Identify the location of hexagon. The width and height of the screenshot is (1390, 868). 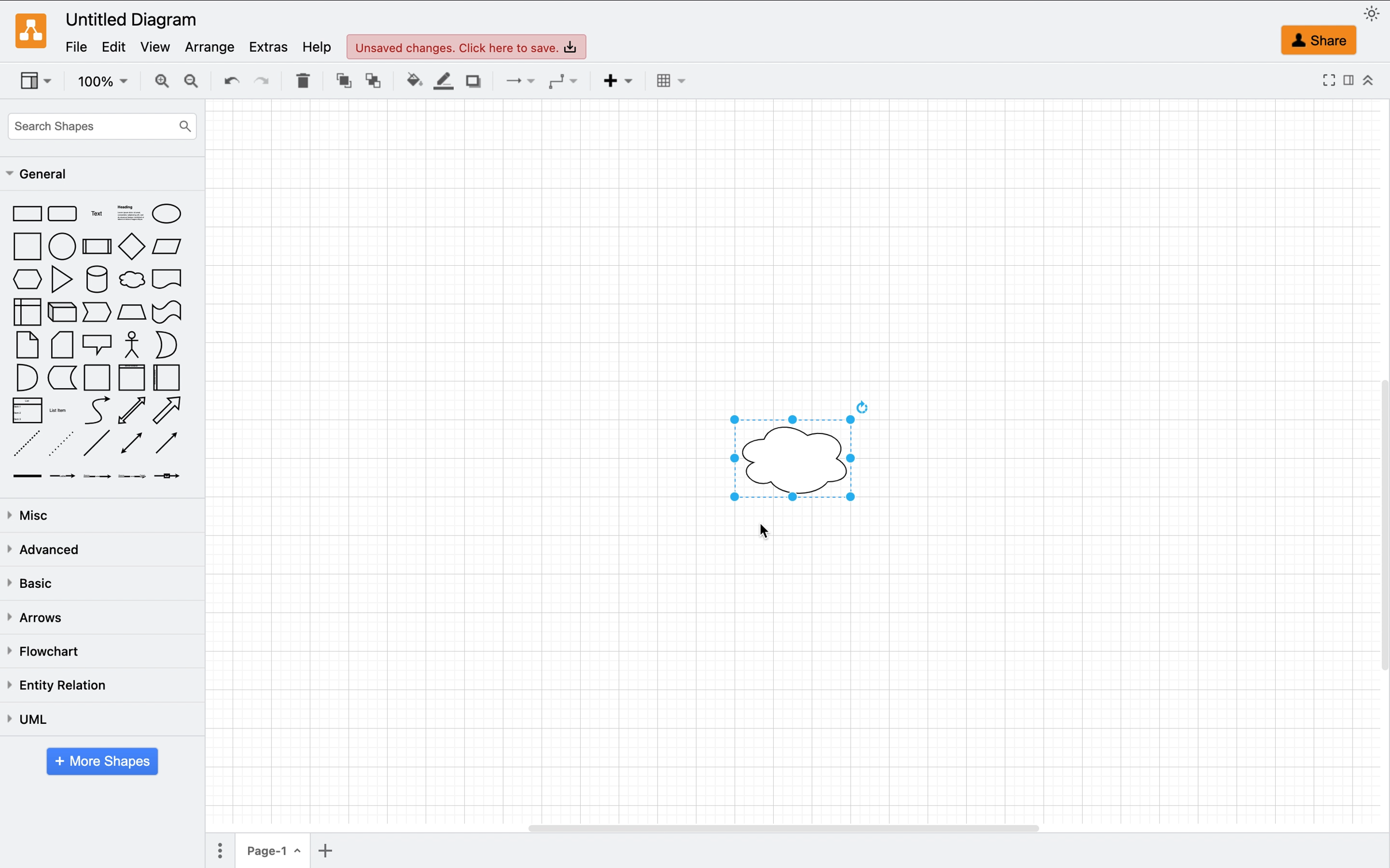
(26, 279).